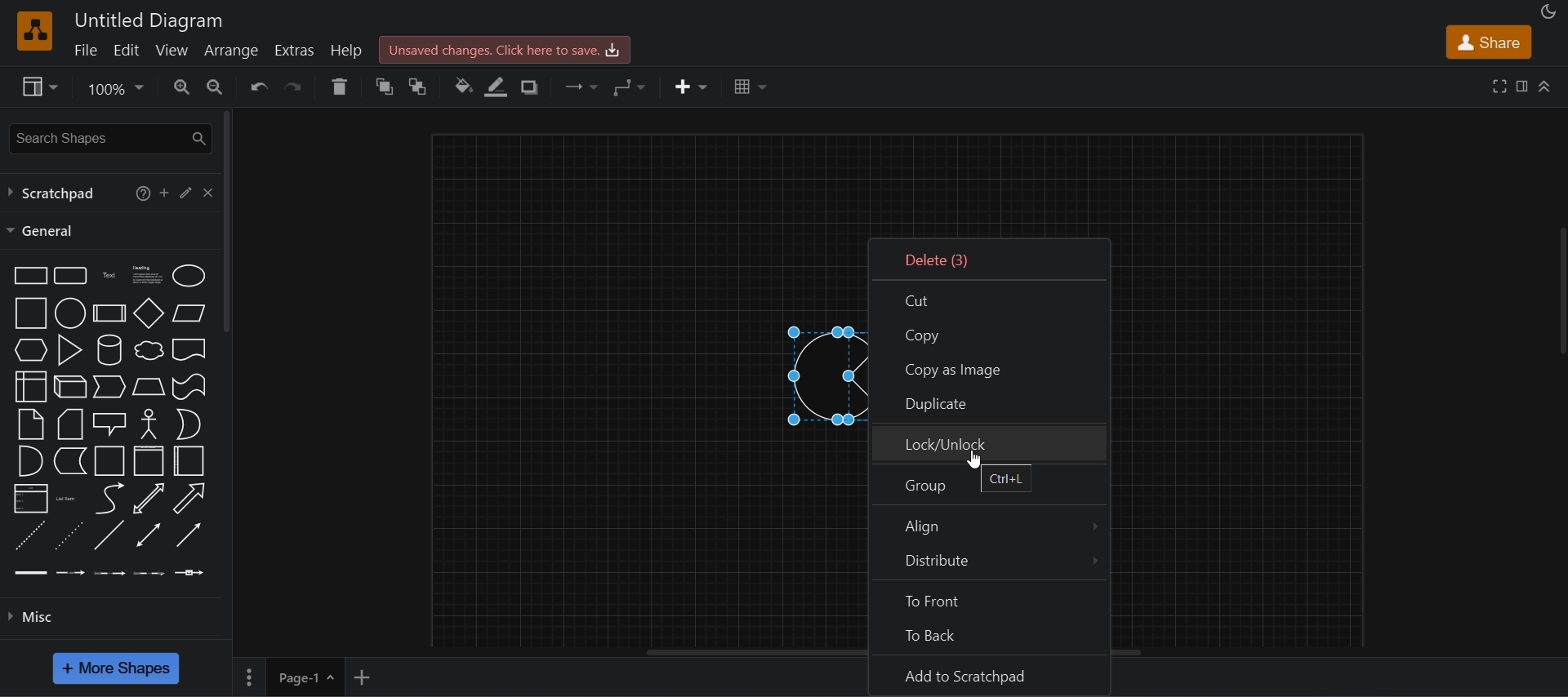 Image resolution: width=1568 pixels, height=697 pixels. Describe the element at coordinates (69, 424) in the screenshot. I see `card` at that location.